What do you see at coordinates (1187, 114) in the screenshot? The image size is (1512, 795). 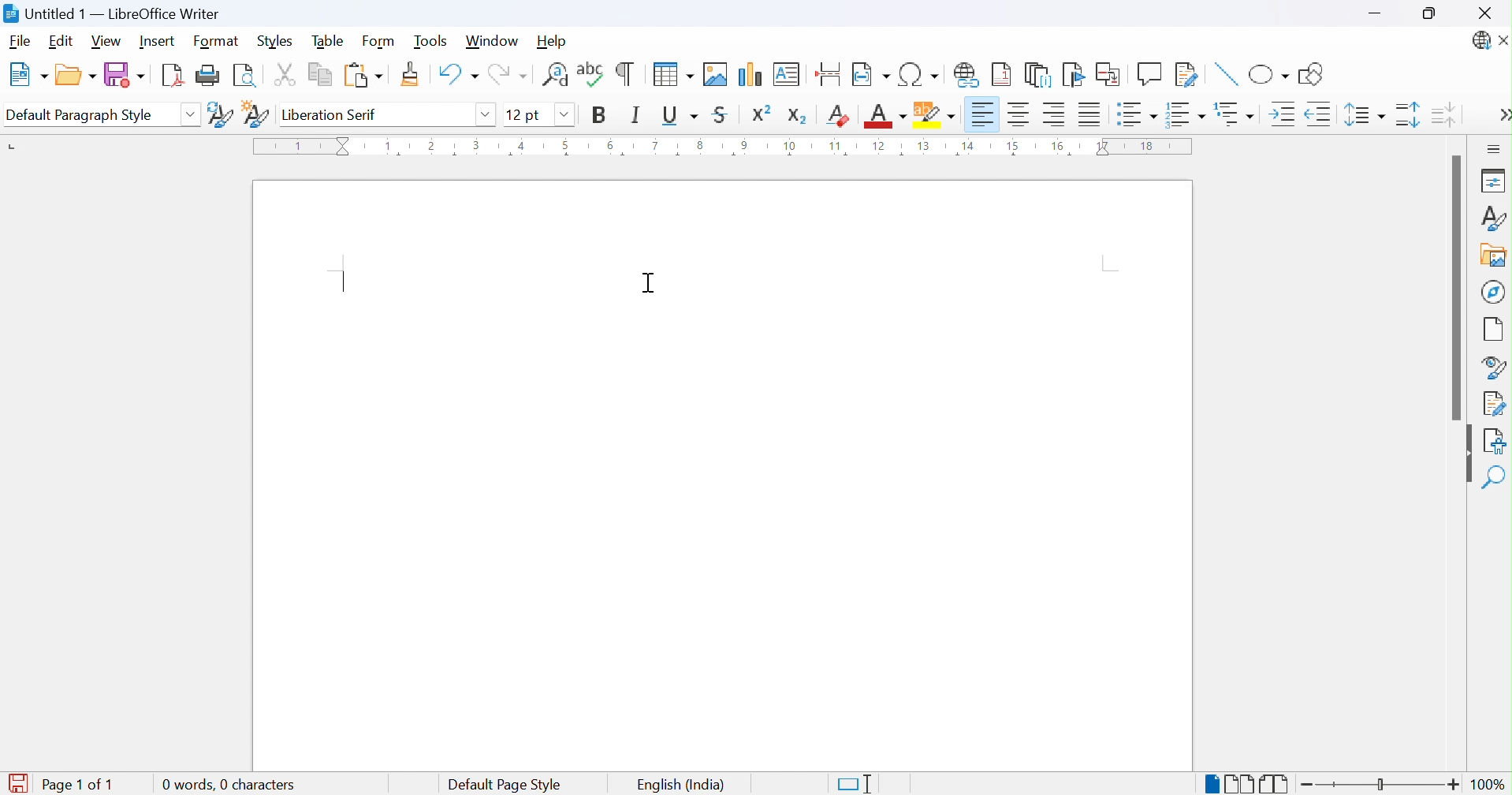 I see `Toggle ordered list` at bounding box center [1187, 114].